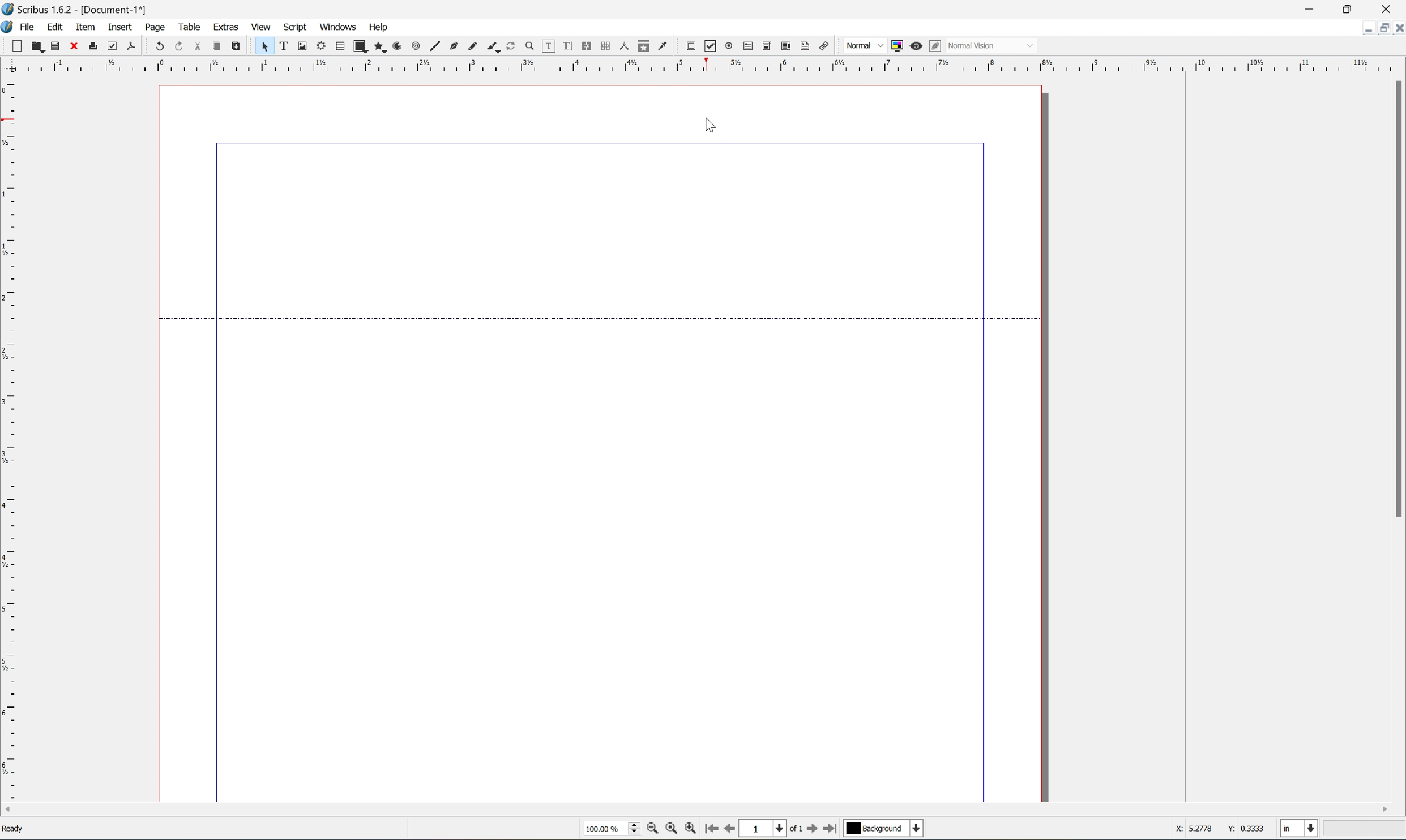 This screenshot has width=1406, height=840. What do you see at coordinates (607, 46) in the screenshot?
I see `unlink text frames` at bounding box center [607, 46].